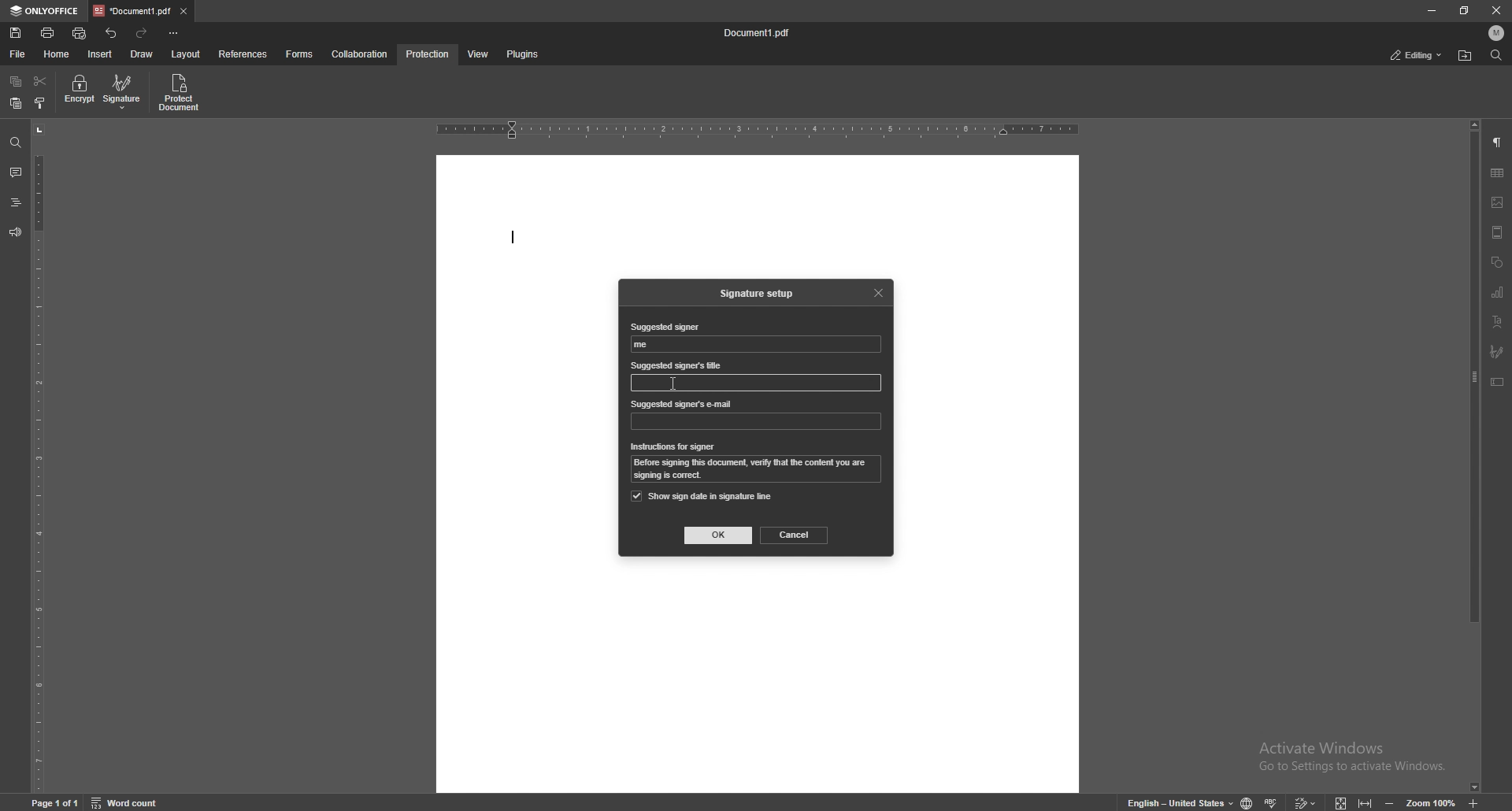 The height and width of the screenshot is (811, 1512). What do you see at coordinates (1367, 800) in the screenshot?
I see `fit to width` at bounding box center [1367, 800].